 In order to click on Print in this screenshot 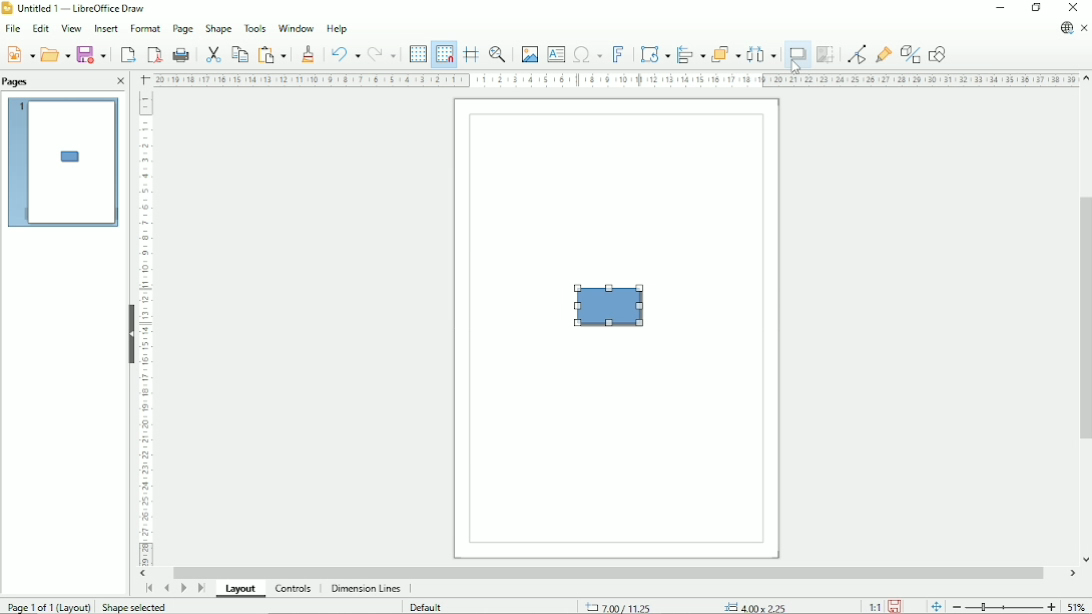, I will do `click(182, 56)`.